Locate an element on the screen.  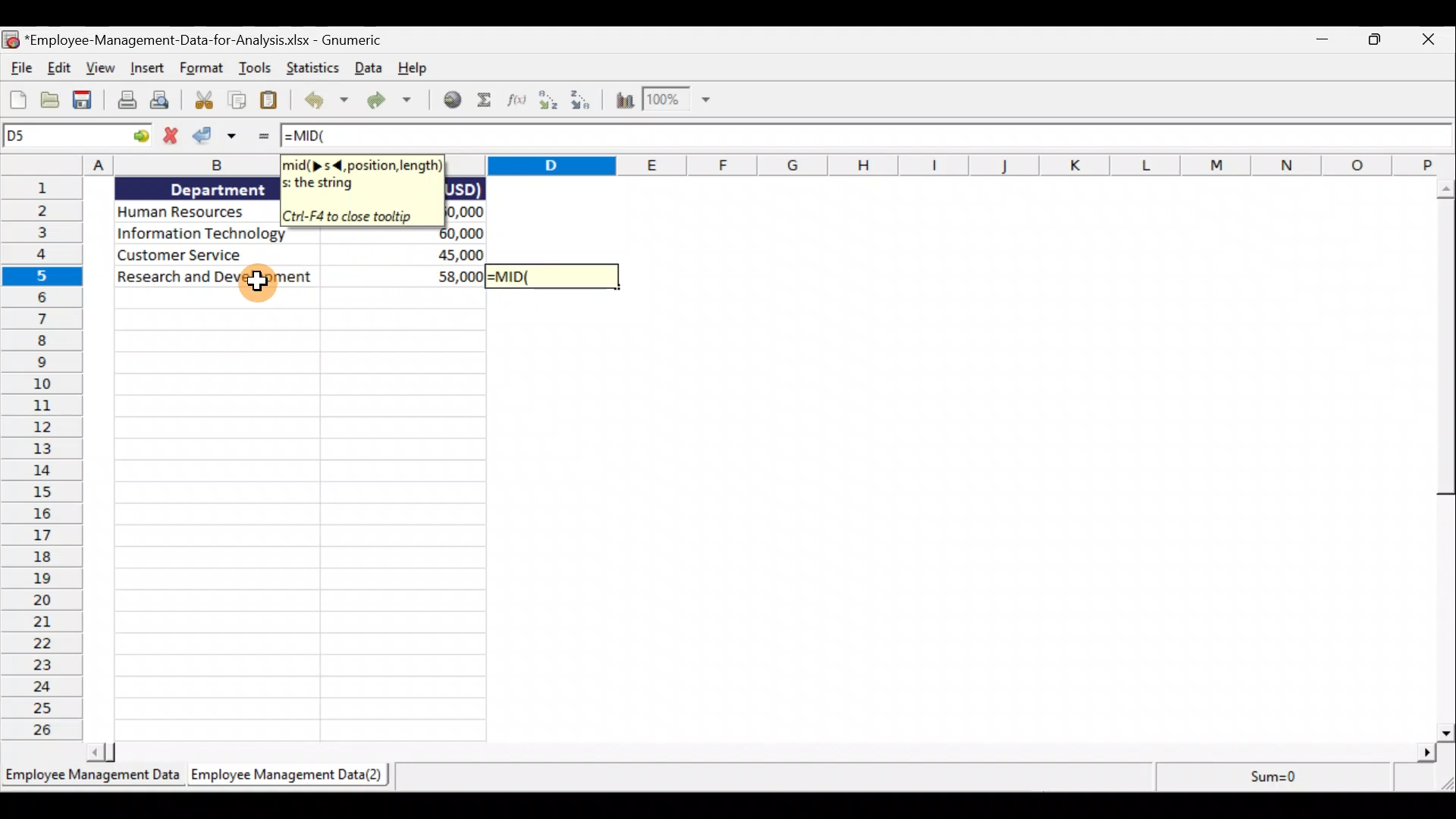
Rows is located at coordinates (41, 460).